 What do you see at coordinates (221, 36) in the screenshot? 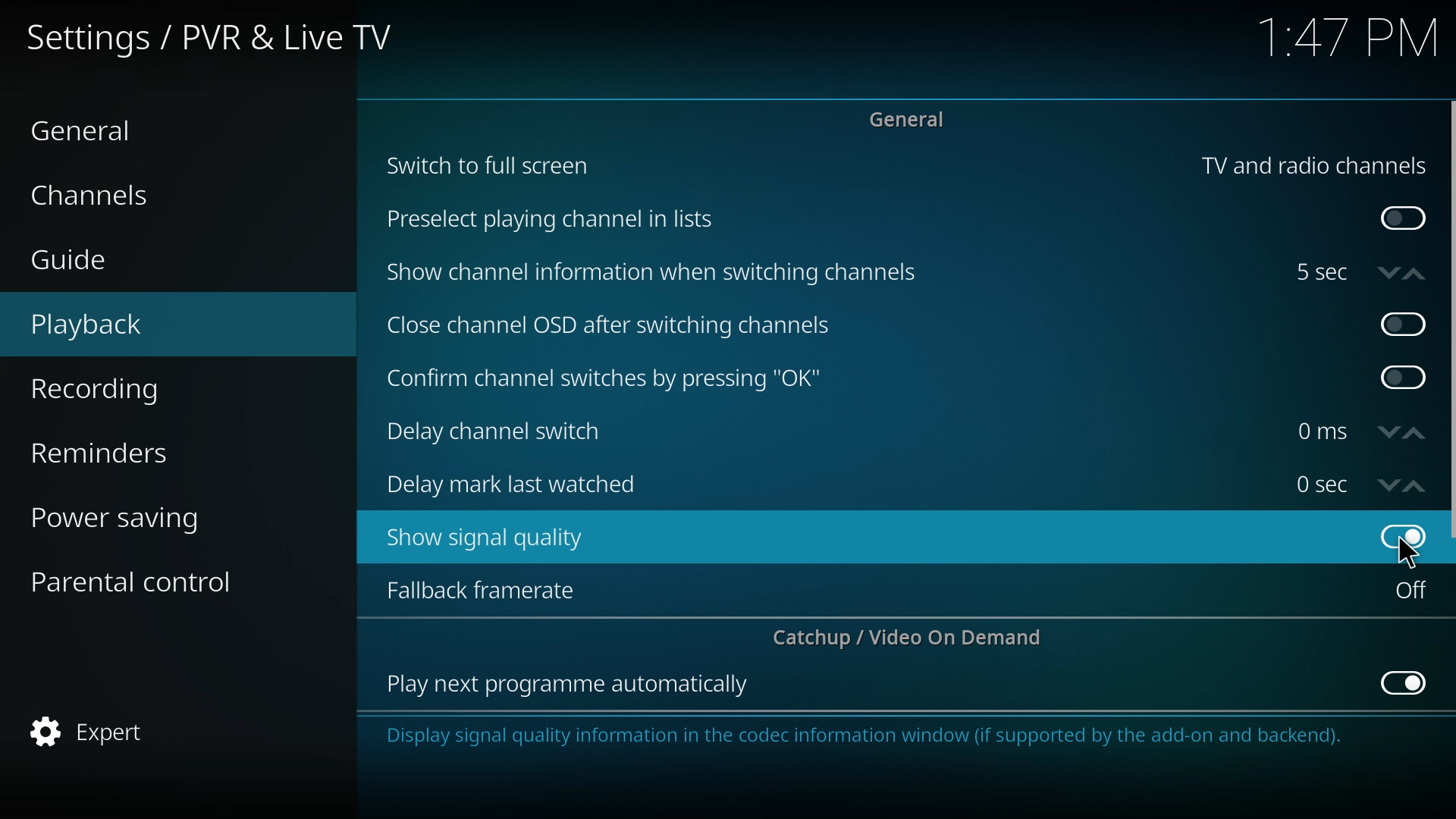
I see `settings/pvr and live tv` at bounding box center [221, 36].